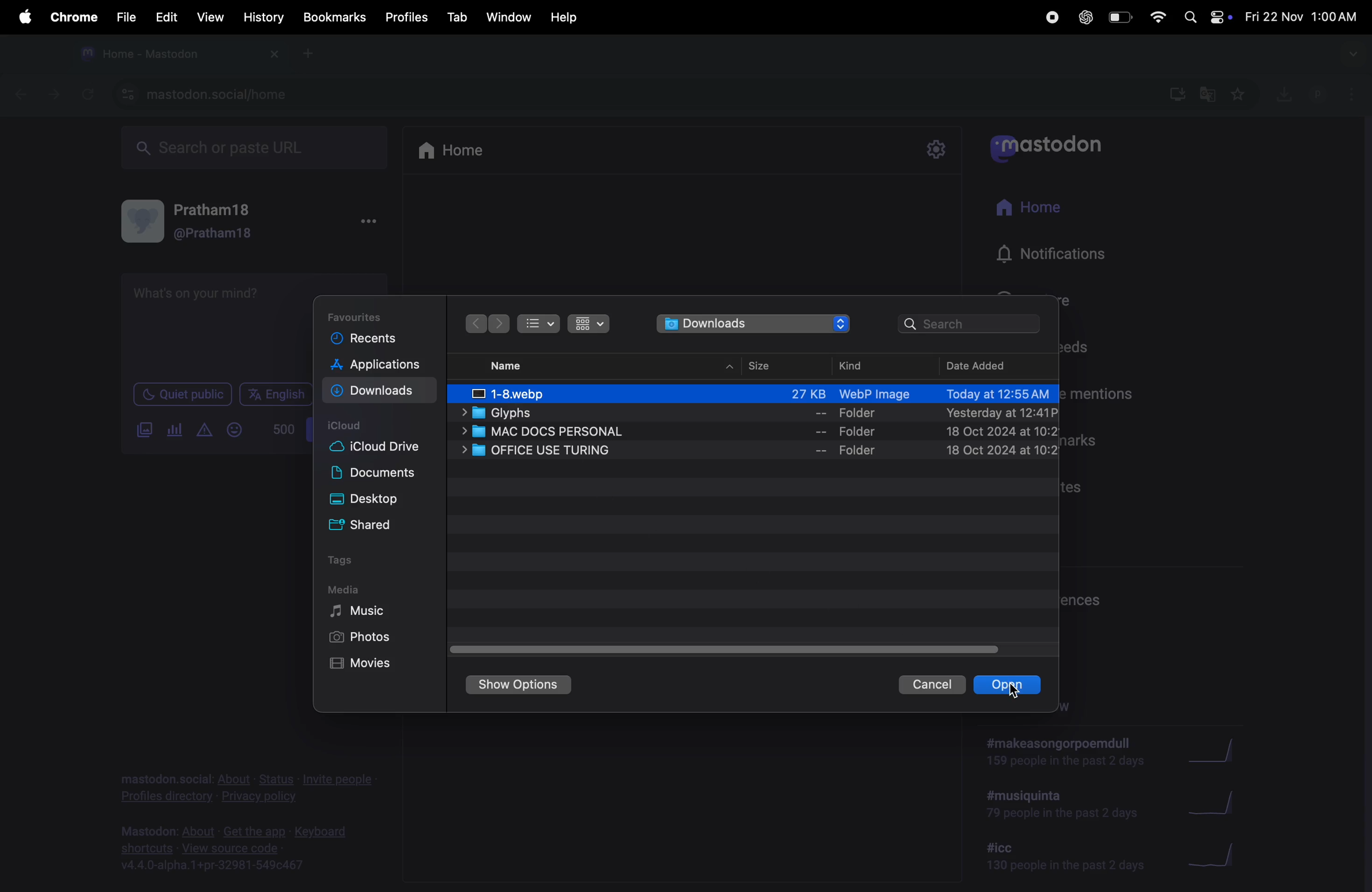 The height and width of the screenshot is (892, 1372). Describe the element at coordinates (88, 93) in the screenshot. I see `refresh` at that location.